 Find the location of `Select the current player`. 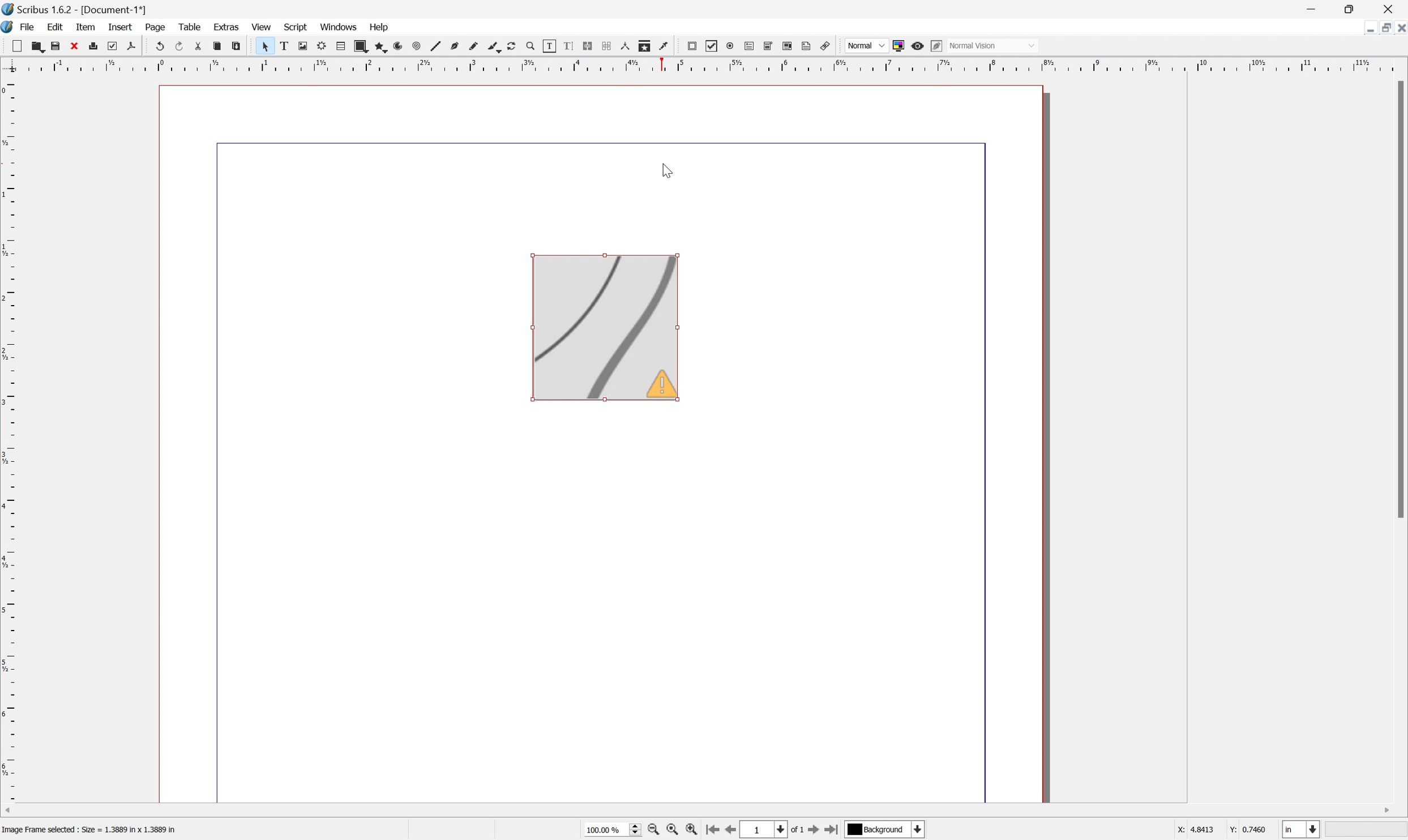

Select the current player is located at coordinates (883, 831).